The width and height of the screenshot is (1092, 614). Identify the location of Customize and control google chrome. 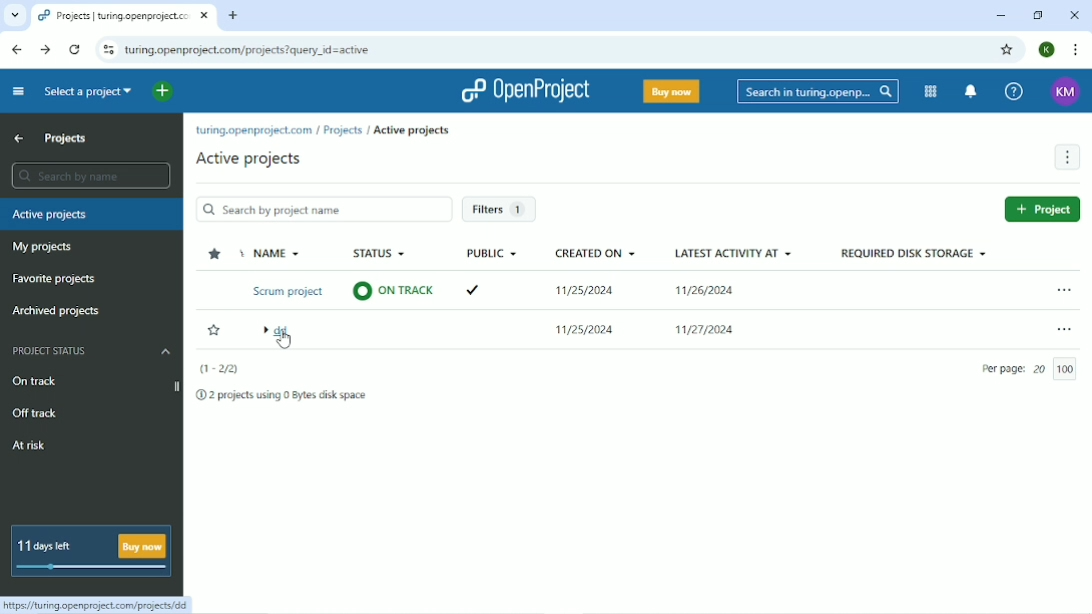
(1074, 49).